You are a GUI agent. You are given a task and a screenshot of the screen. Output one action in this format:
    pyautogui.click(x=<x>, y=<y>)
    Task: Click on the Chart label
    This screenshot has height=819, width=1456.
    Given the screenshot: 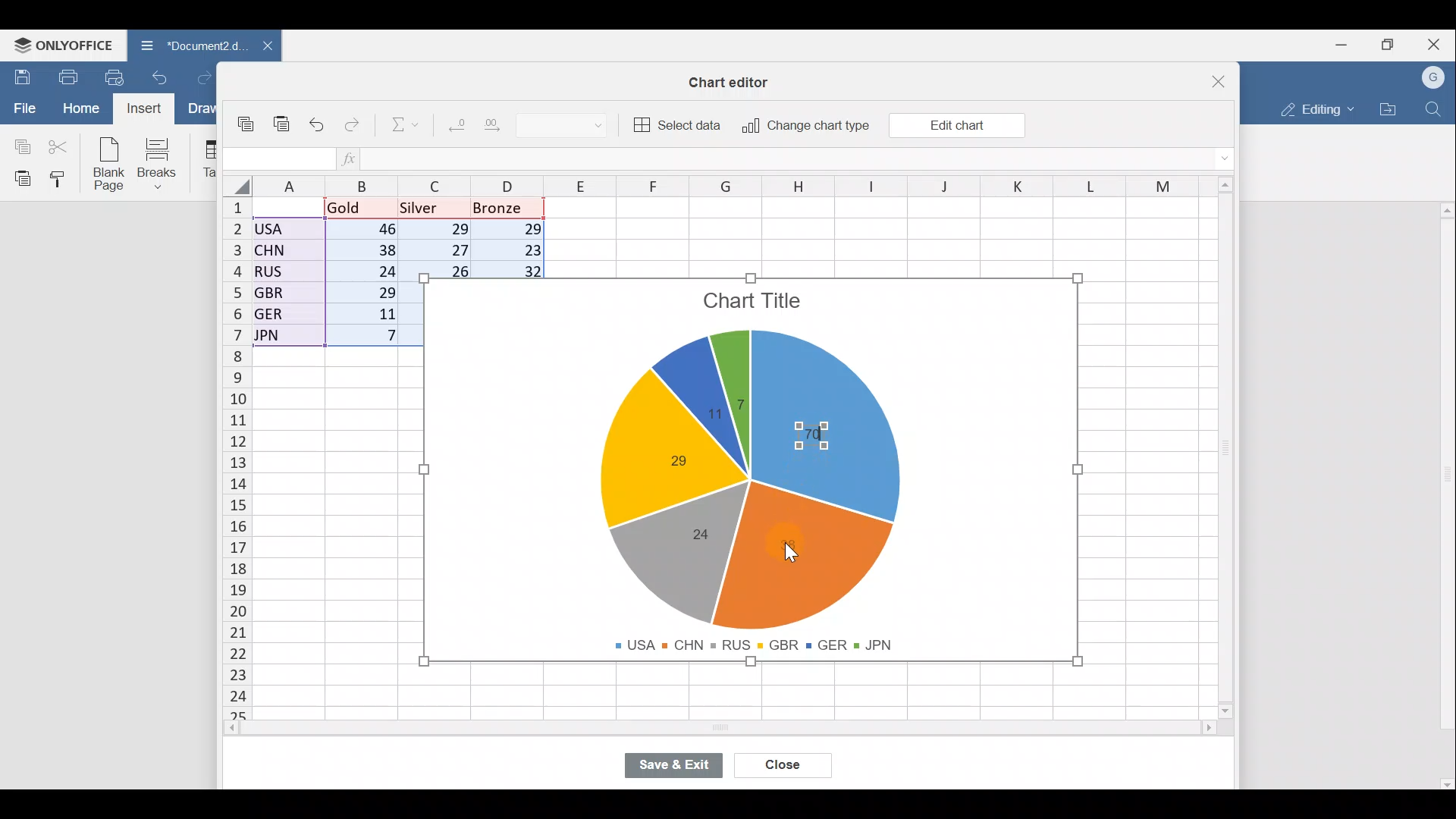 What is the action you would take?
    pyautogui.click(x=740, y=395)
    